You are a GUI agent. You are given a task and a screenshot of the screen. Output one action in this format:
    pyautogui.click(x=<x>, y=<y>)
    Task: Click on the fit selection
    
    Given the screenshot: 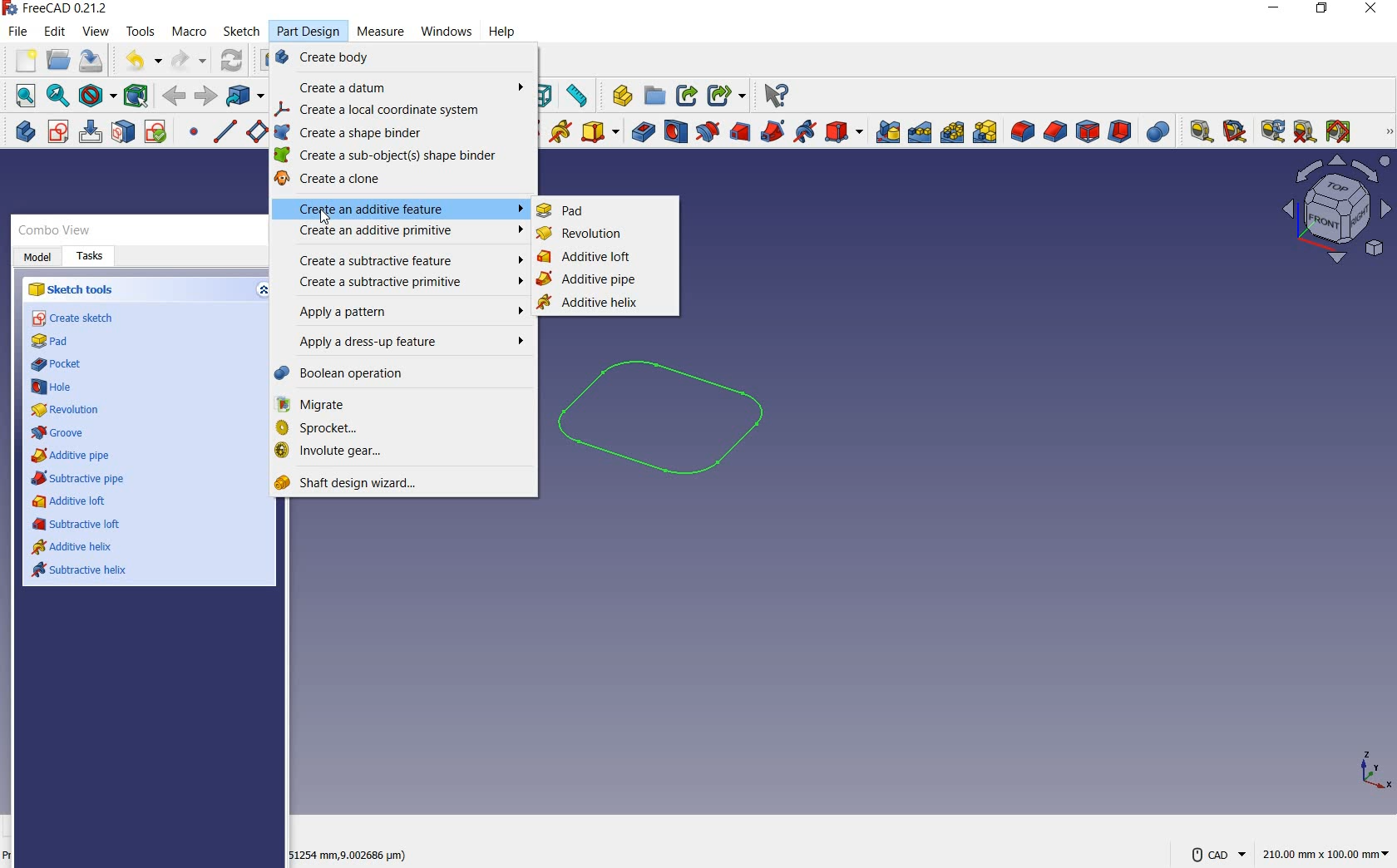 What is the action you would take?
    pyautogui.click(x=58, y=97)
    